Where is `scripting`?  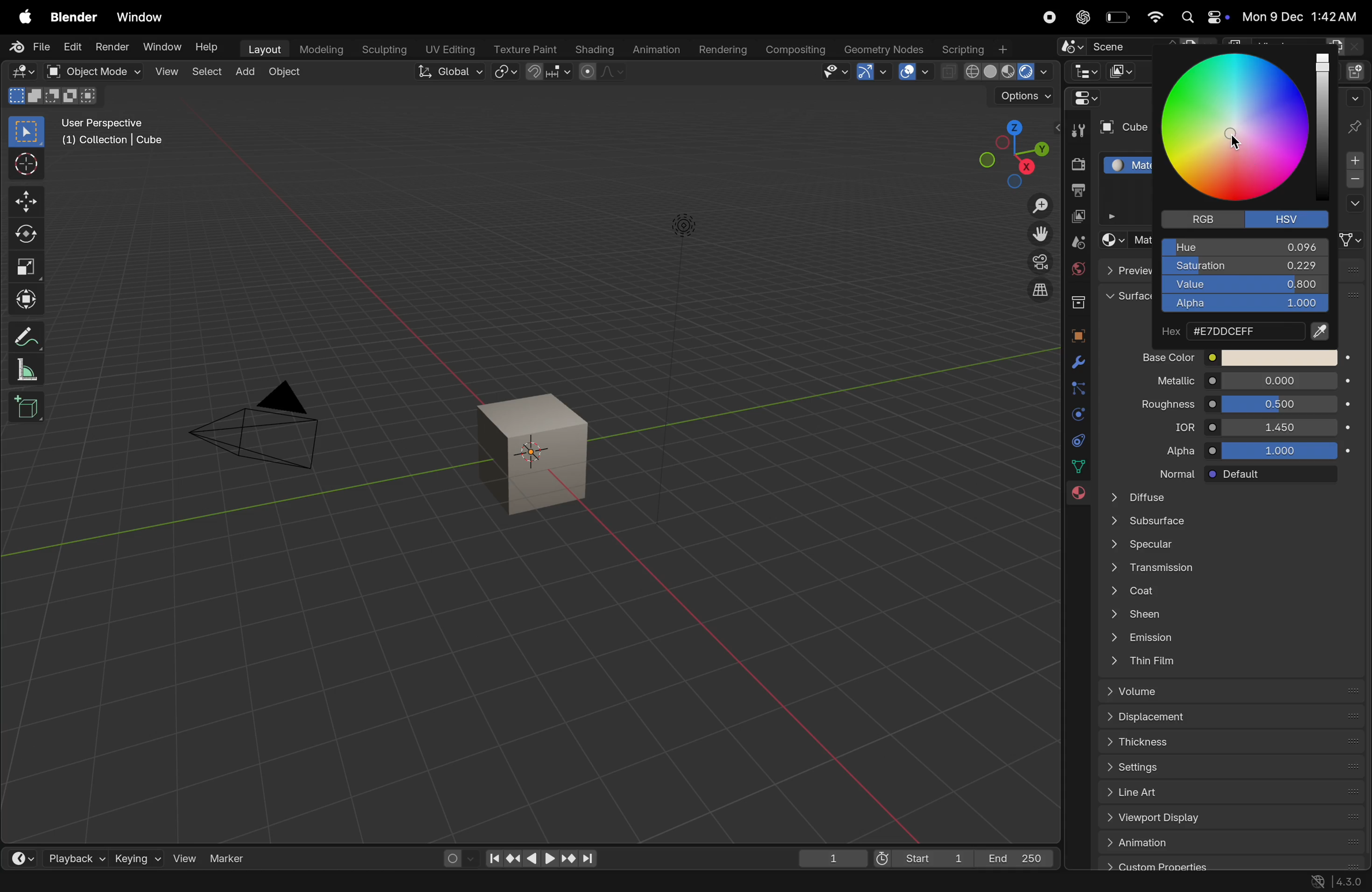 scripting is located at coordinates (975, 48).